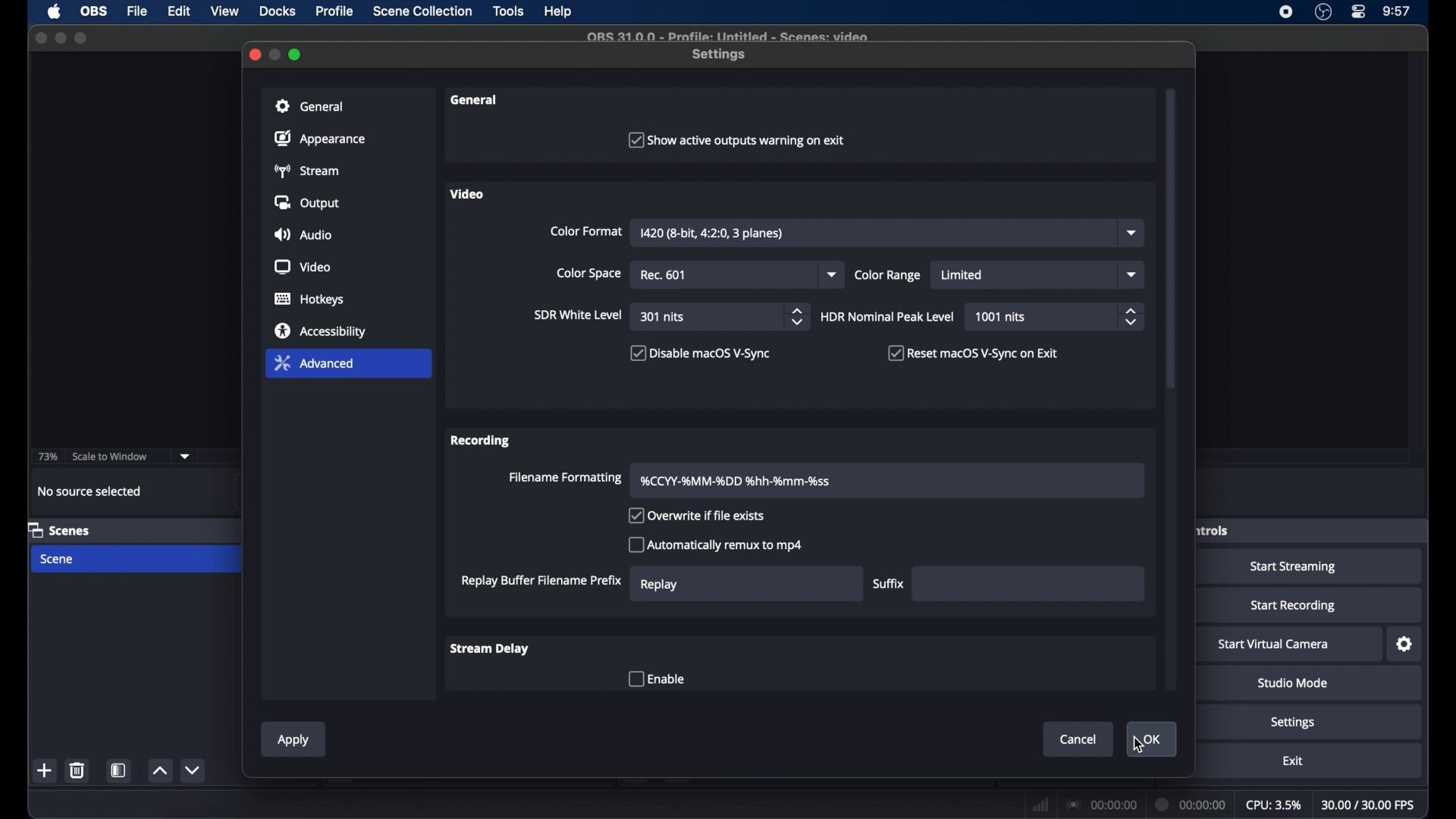 This screenshot has width=1456, height=819. I want to click on checkbox, so click(700, 516).